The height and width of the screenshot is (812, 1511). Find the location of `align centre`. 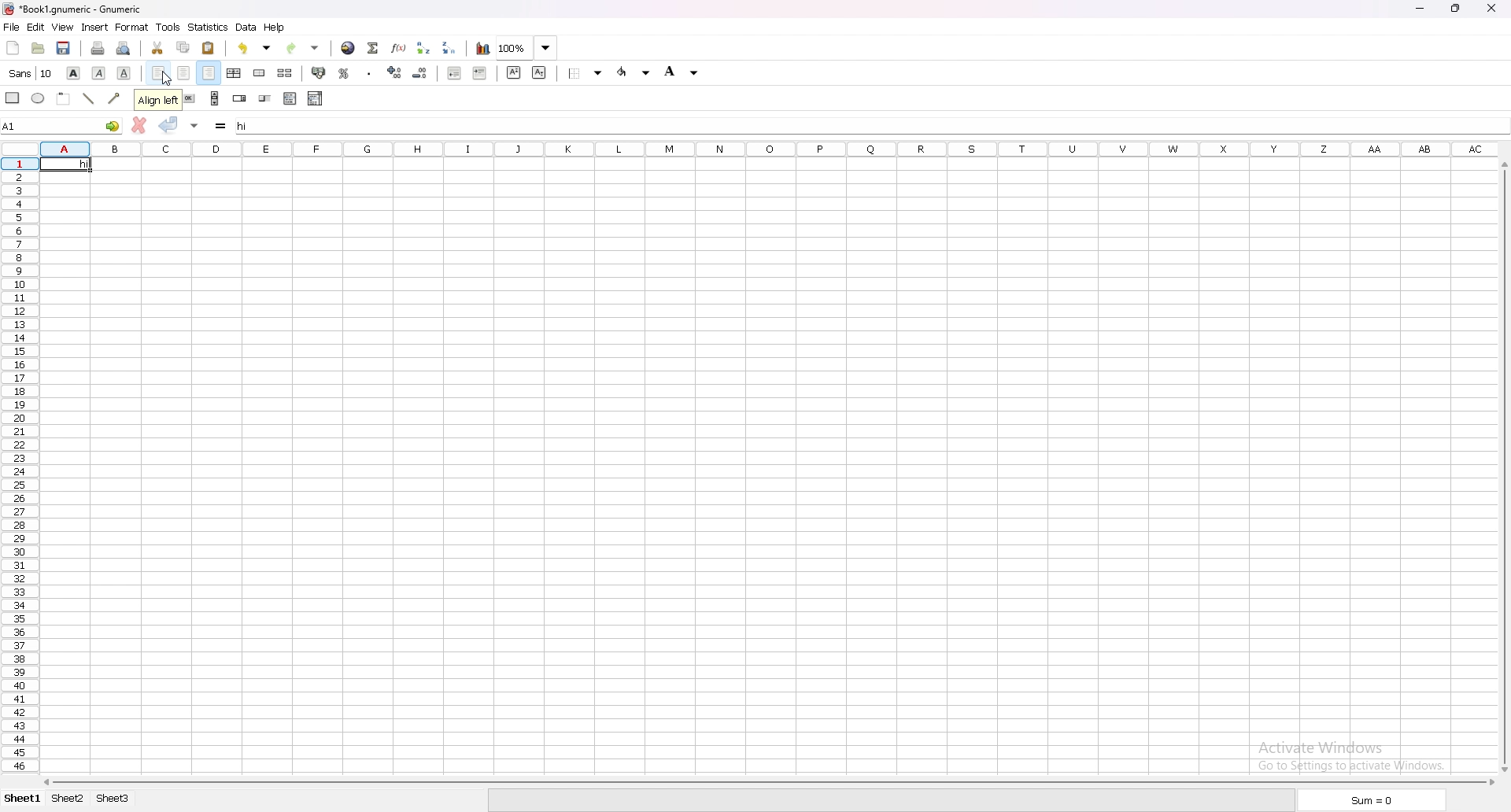

align centre is located at coordinates (184, 74).